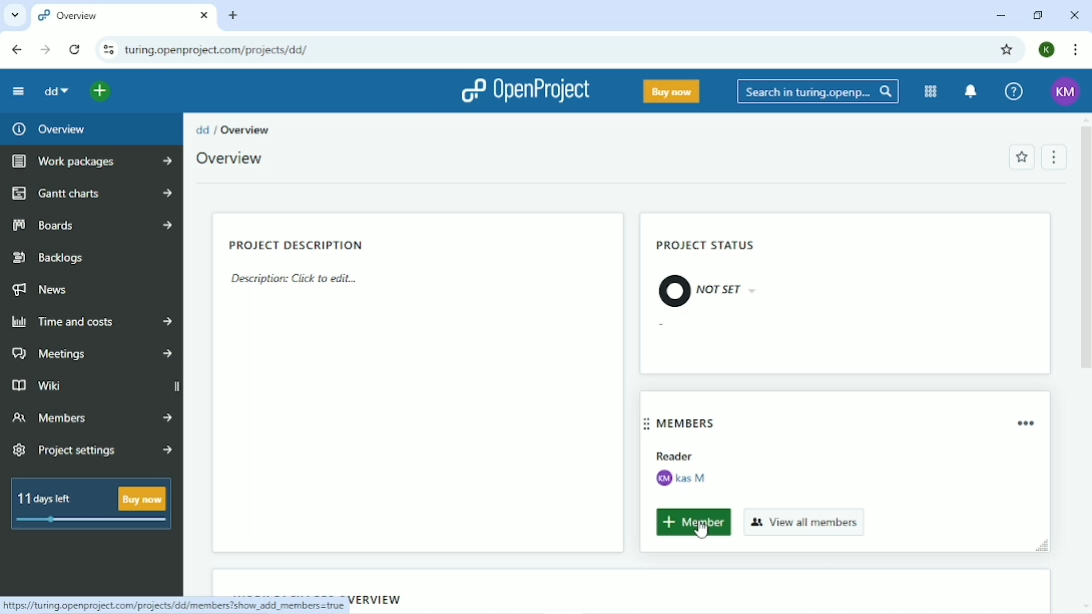 The width and height of the screenshot is (1092, 614). Describe the element at coordinates (1055, 157) in the screenshot. I see `Menu` at that location.